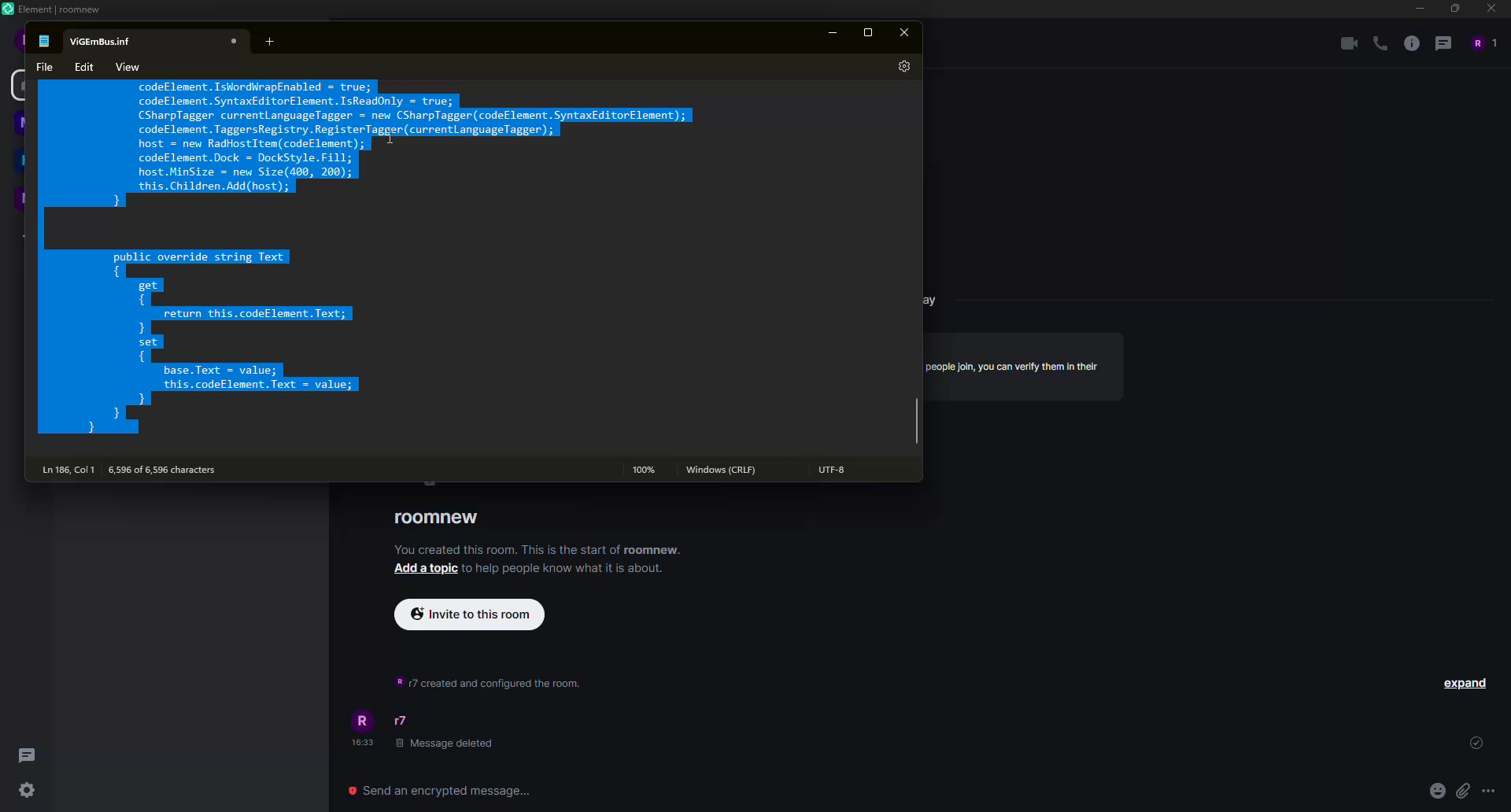 The height and width of the screenshot is (812, 1511). What do you see at coordinates (1015, 365) in the screenshot?
I see `info` at bounding box center [1015, 365].